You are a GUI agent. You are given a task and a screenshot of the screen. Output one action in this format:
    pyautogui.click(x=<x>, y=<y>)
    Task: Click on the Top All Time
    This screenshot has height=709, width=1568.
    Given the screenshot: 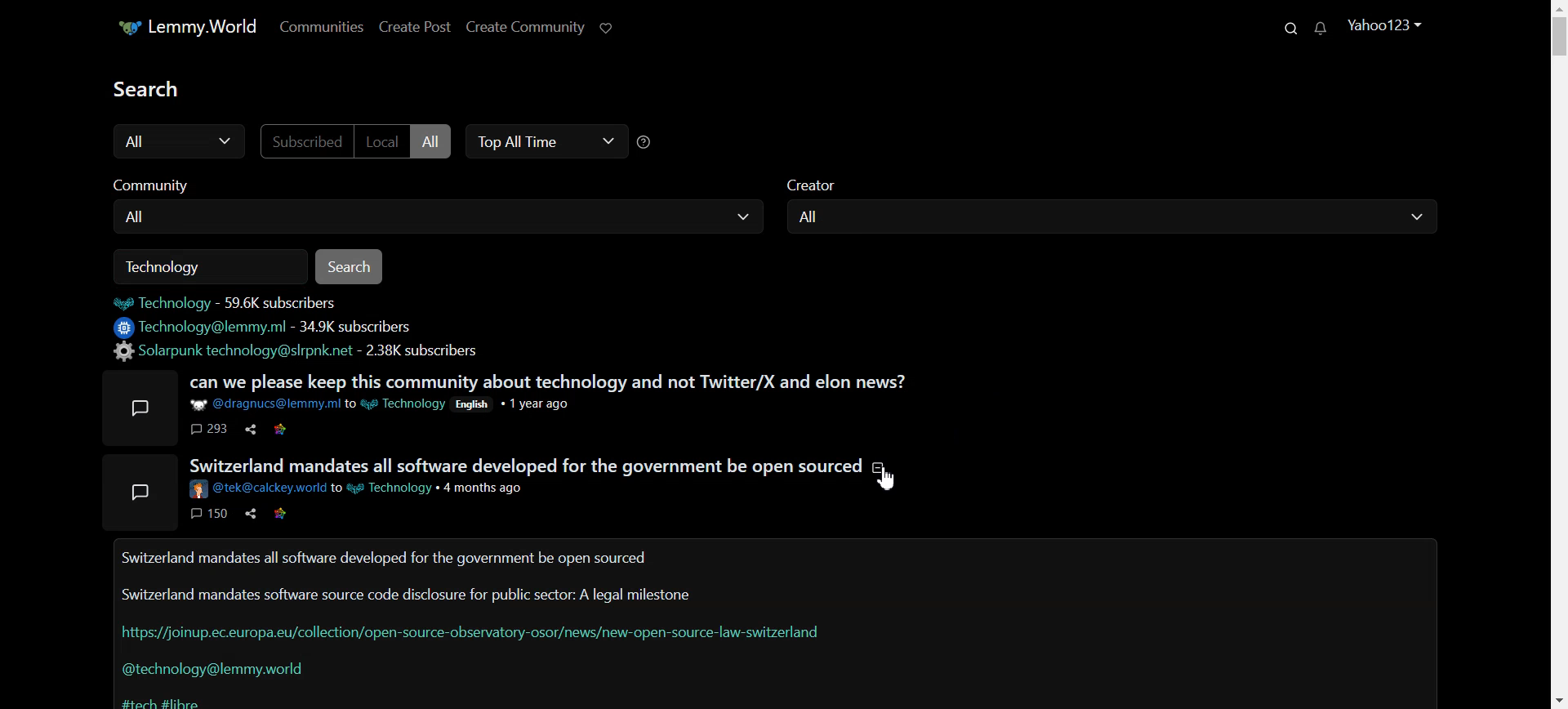 What is the action you would take?
    pyautogui.click(x=543, y=140)
    